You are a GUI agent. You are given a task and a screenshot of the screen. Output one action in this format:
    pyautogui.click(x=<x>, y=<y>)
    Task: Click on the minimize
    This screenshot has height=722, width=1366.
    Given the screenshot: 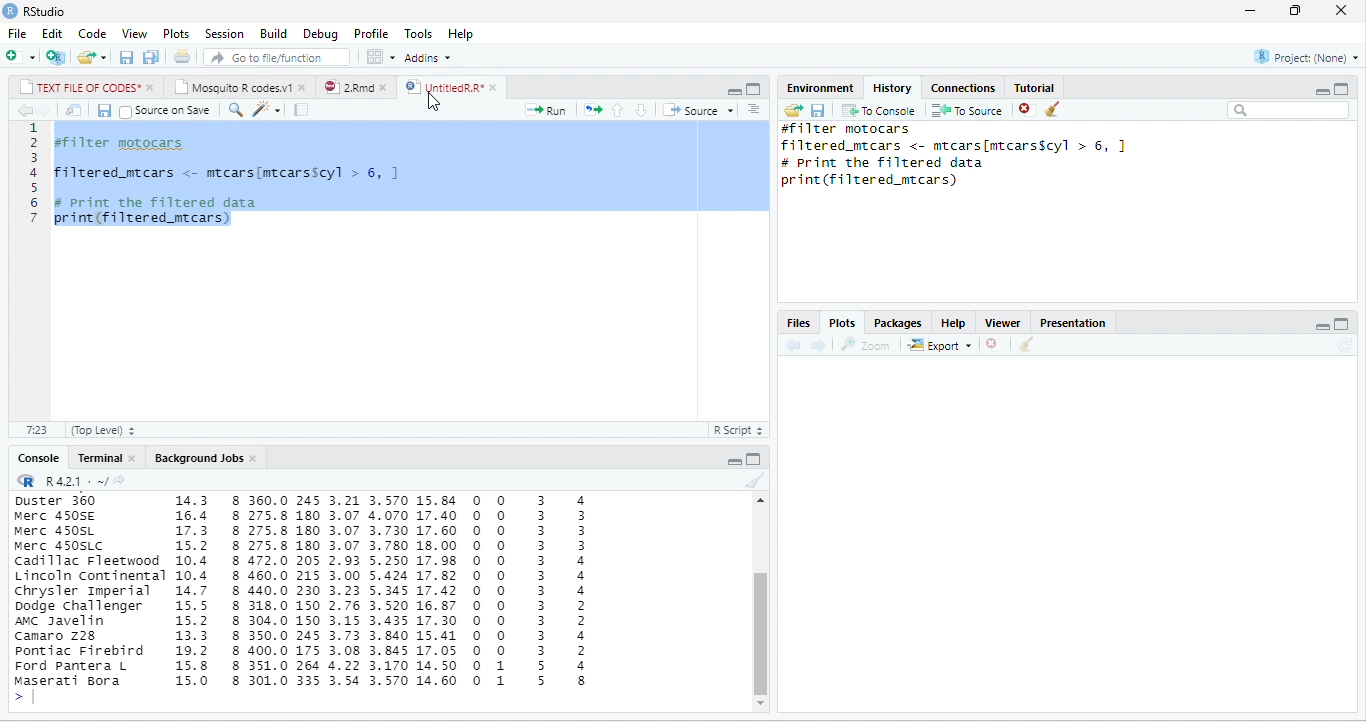 What is the action you would take?
    pyautogui.click(x=1250, y=11)
    